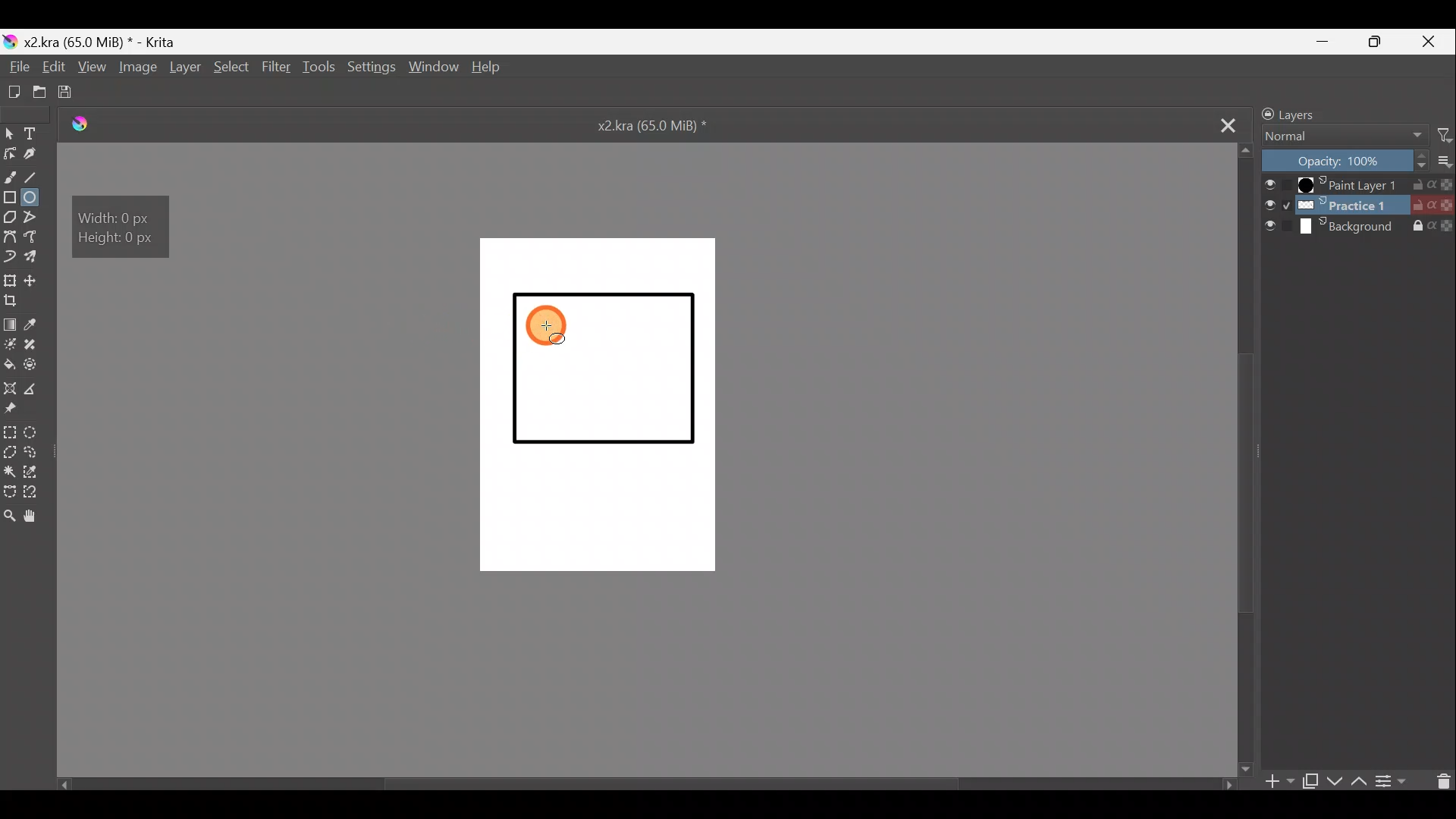  What do you see at coordinates (11, 174) in the screenshot?
I see `Freehand brush tool` at bounding box center [11, 174].